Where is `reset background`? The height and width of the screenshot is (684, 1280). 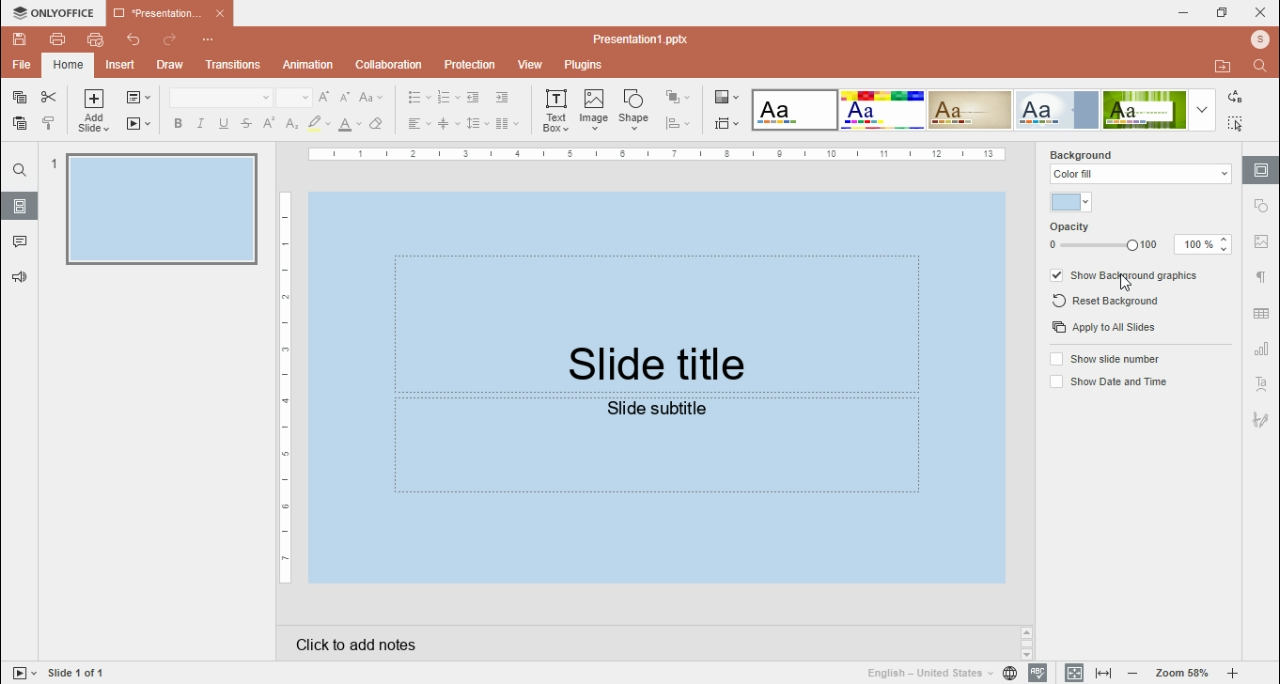
reset background is located at coordinates (1108, 302).